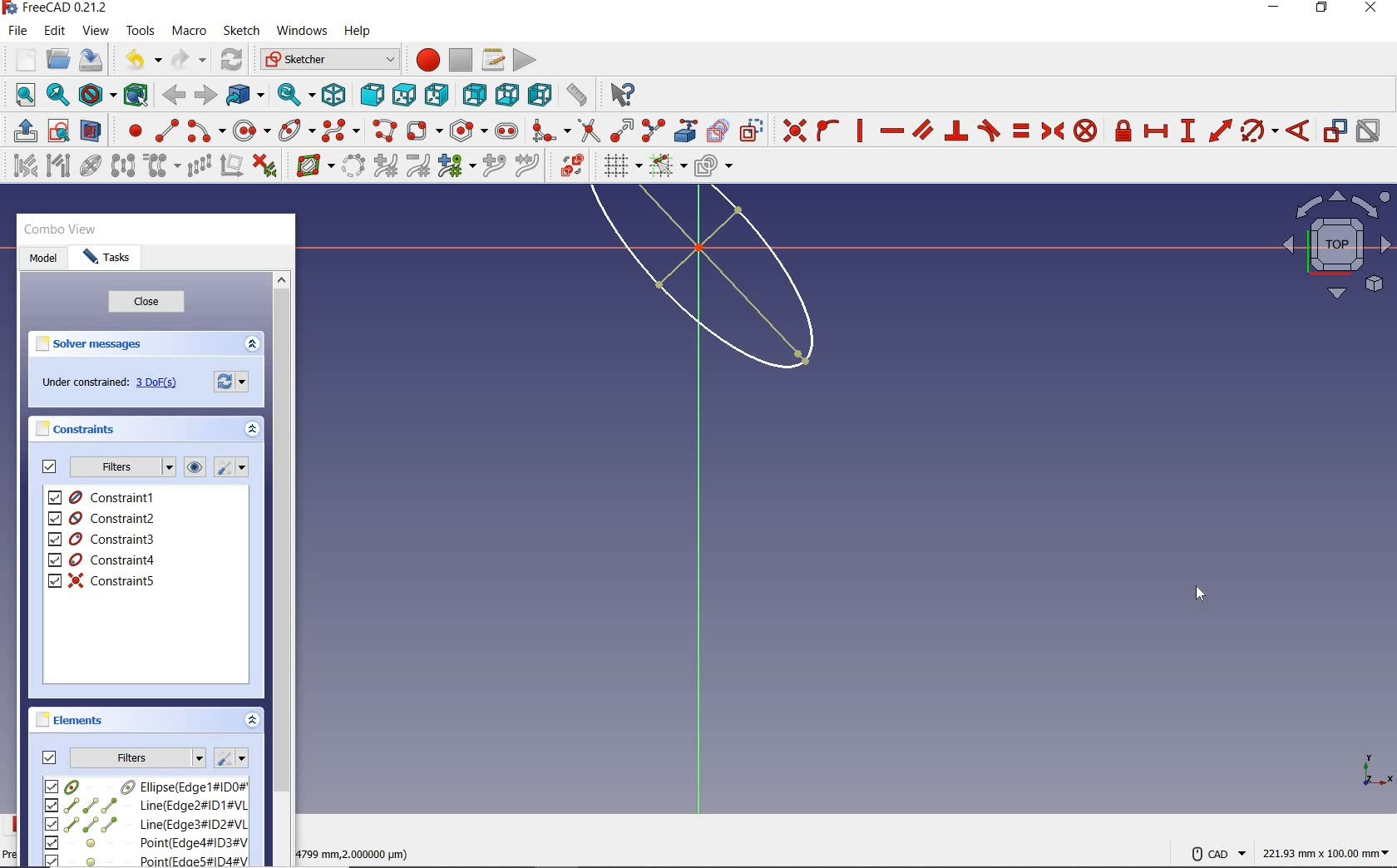 This screenshot has height=868, width=1397. Describe the element at coordinates (21, 96) in the screenshot. I see `fit all` at that location.